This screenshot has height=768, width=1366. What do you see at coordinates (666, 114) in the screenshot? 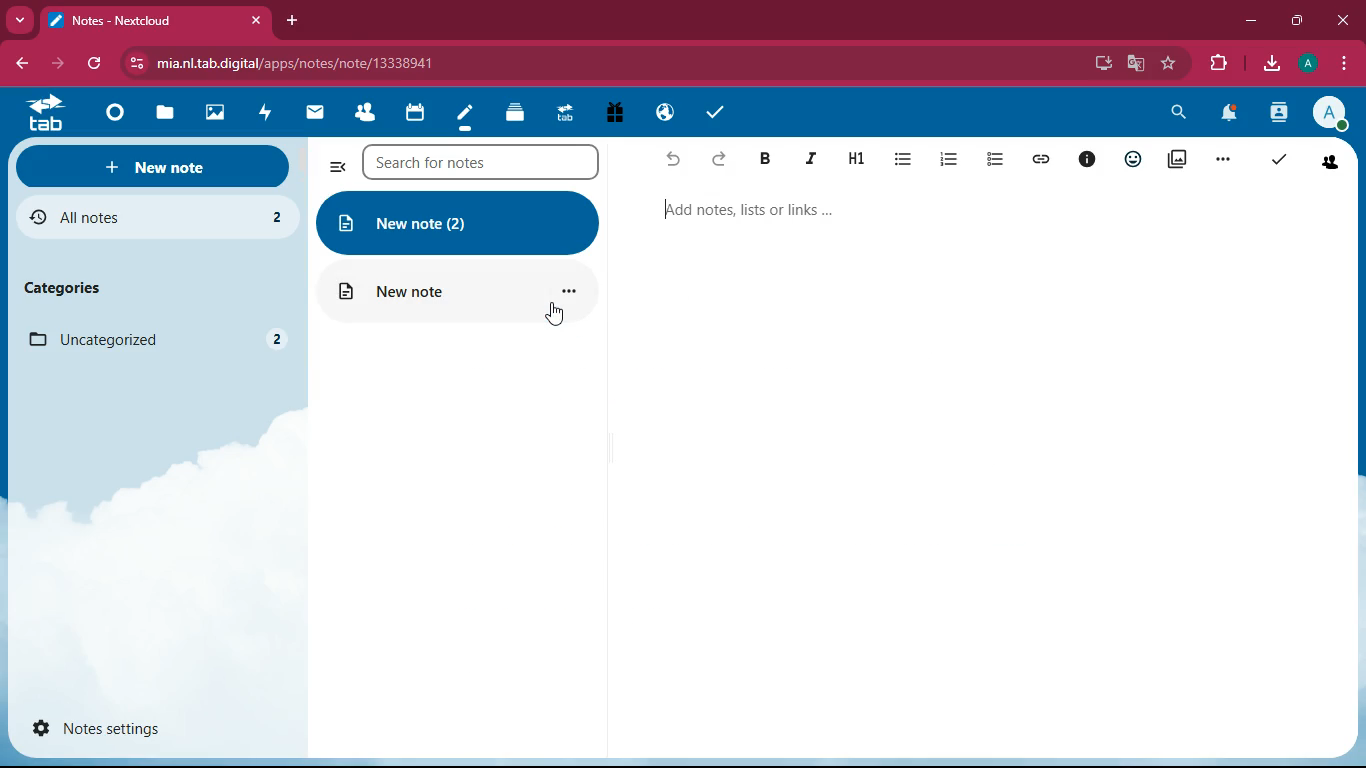
I see `public` at bounding box center [666, 114].